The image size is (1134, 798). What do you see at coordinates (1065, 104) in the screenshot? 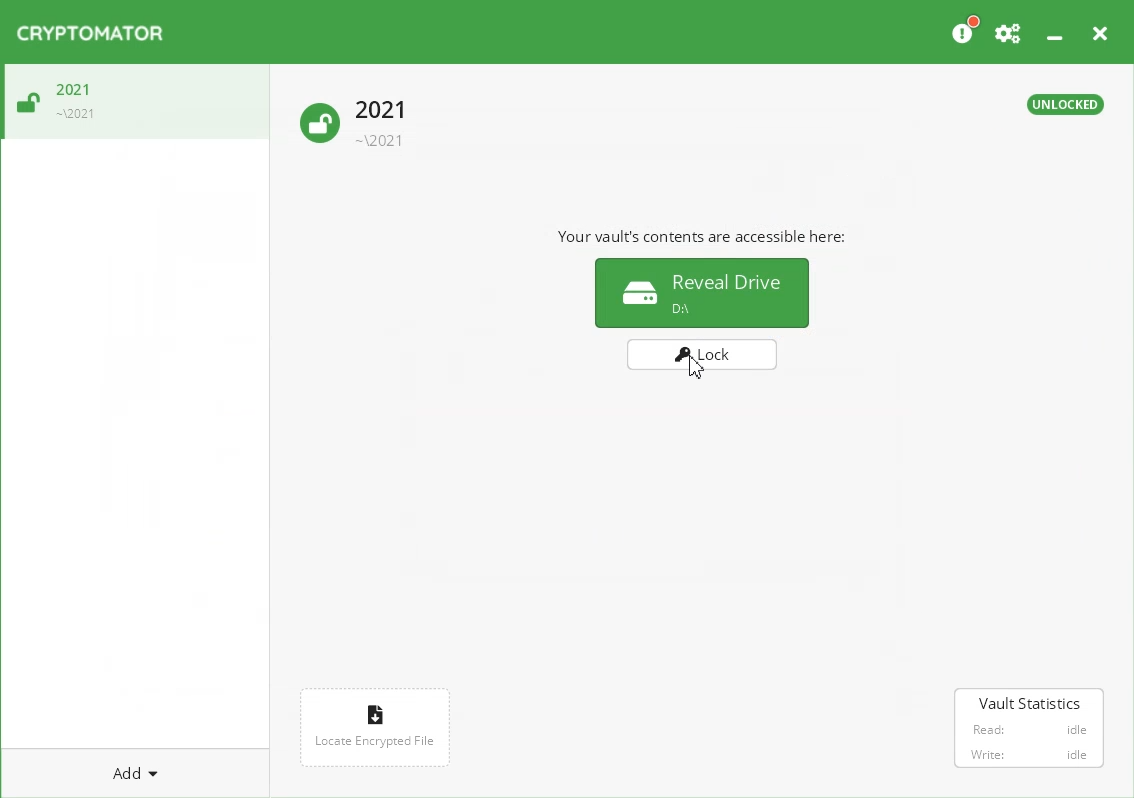
I see `Text` at bounding box center [1065, 104].